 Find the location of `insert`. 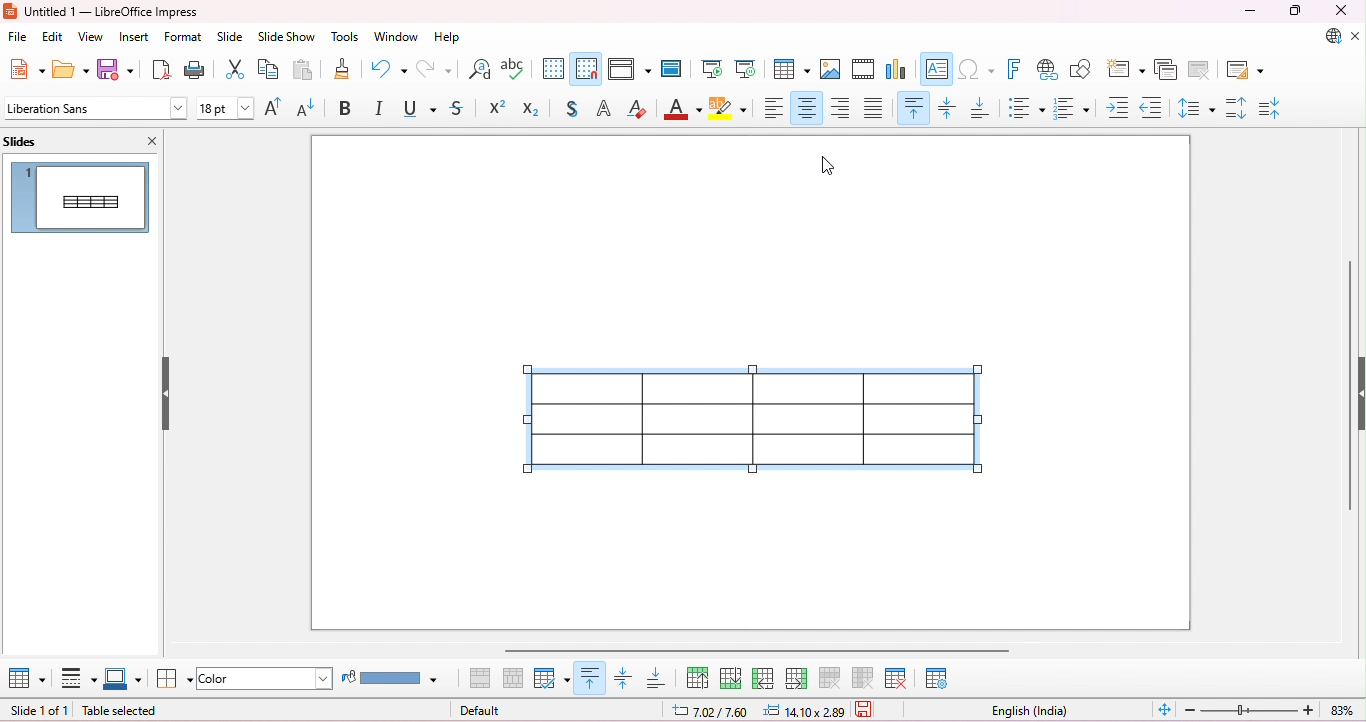

insert is located at coordinates (134, 37).